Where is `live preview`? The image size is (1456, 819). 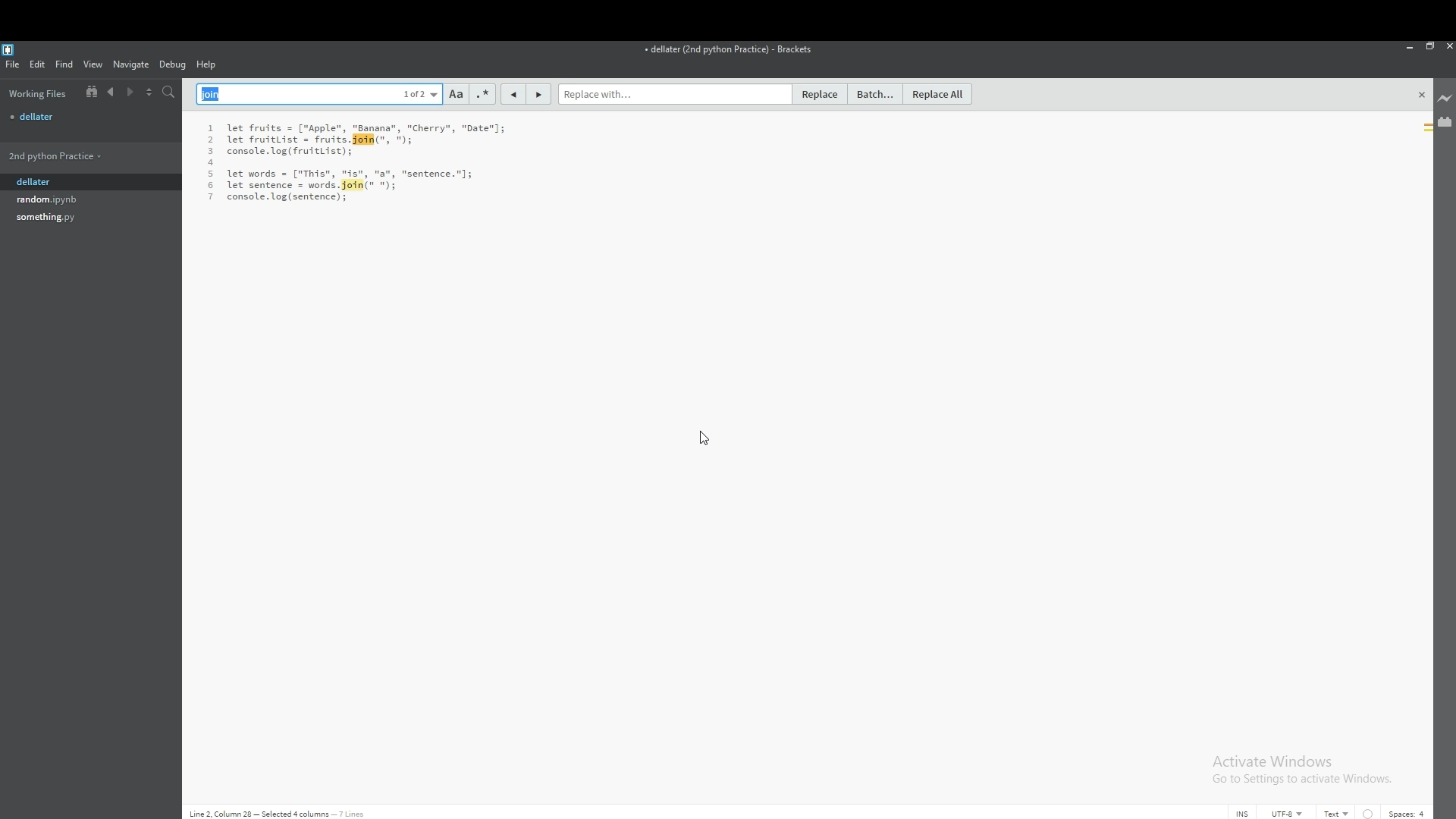 live preview is located at coordinates (1444, 99).